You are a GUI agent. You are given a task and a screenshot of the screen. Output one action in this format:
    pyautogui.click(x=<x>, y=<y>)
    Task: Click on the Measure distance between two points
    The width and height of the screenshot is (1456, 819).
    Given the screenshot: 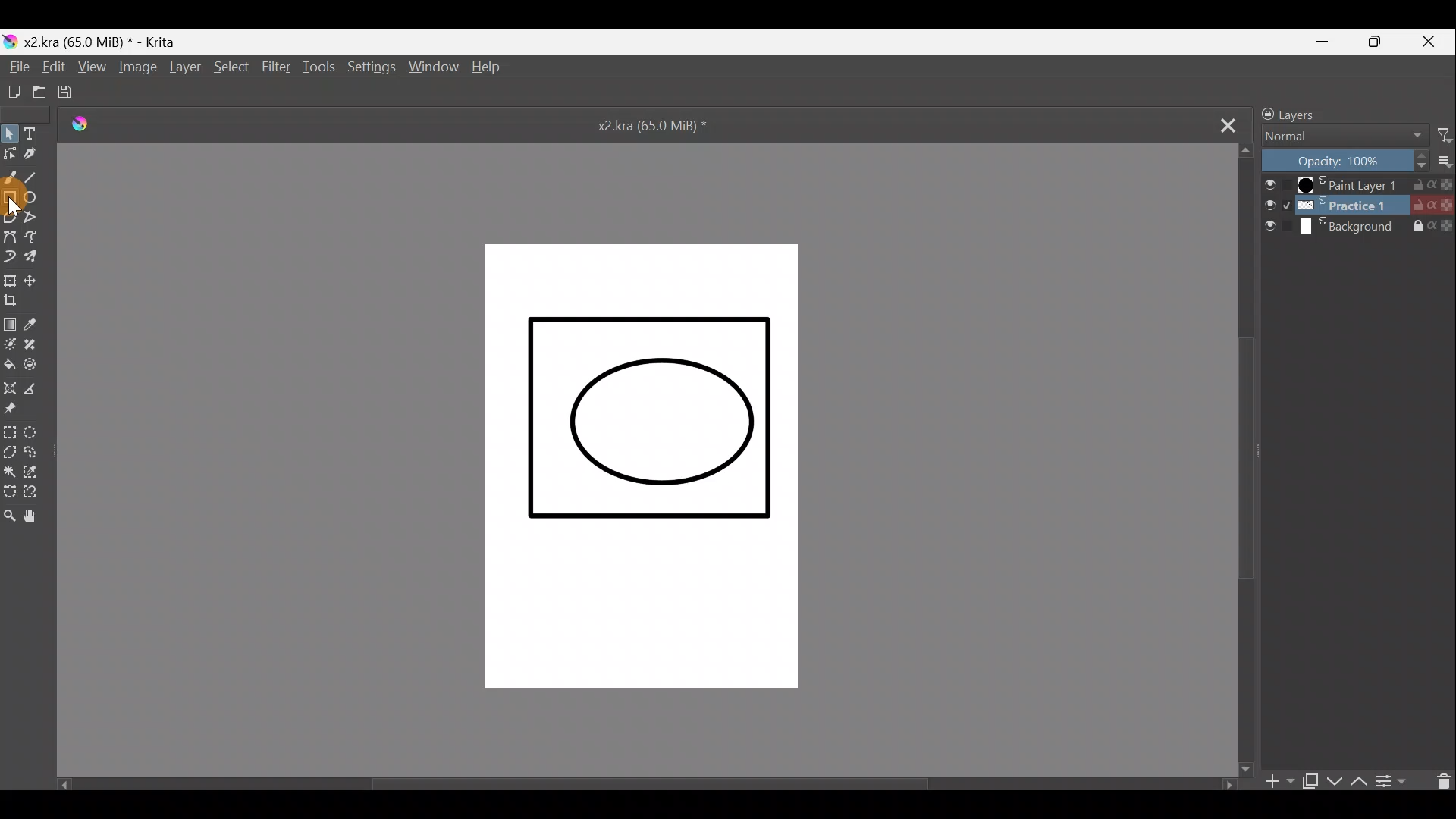 What is the action you would take?
    pyautogui.click(x=33, y=387)
    